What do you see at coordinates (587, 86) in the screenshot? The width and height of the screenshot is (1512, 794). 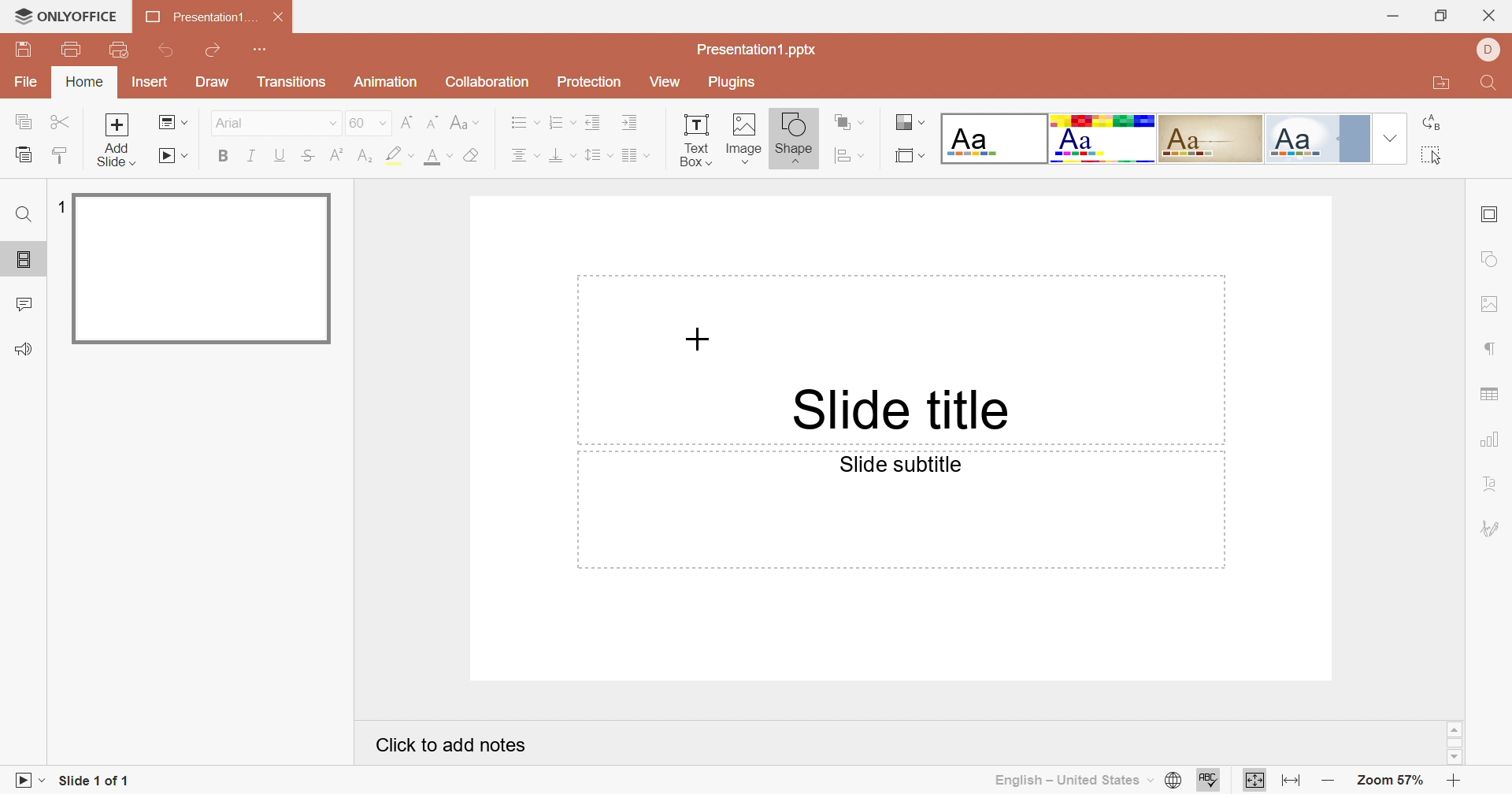 I see `Protection` at bounding box center [587, 86].